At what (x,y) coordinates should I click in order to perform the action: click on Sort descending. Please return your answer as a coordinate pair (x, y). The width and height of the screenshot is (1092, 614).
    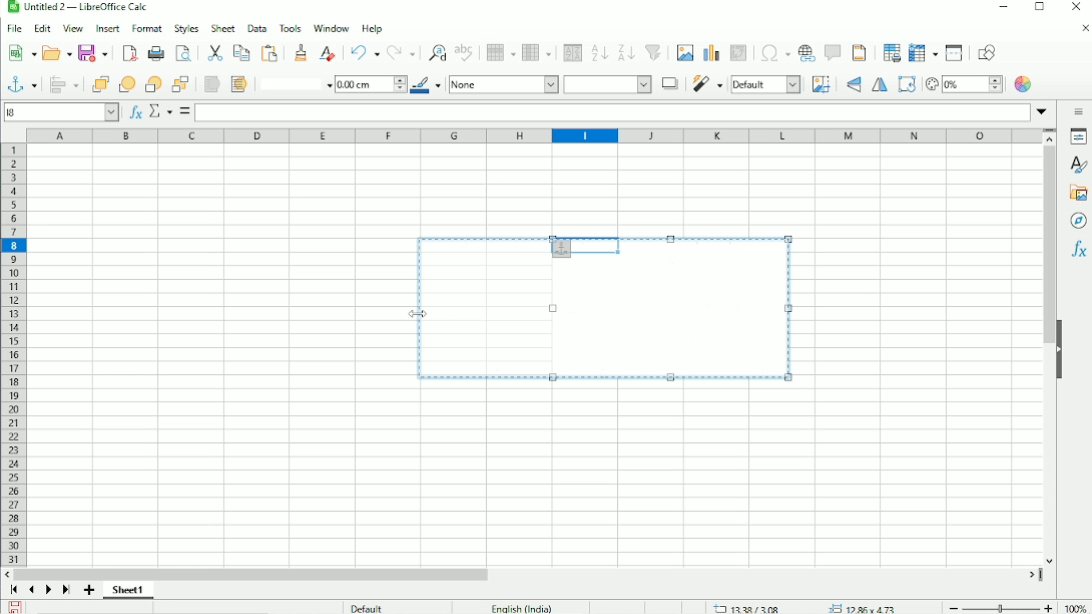
    Looking at the image, I should click on (625, 52).